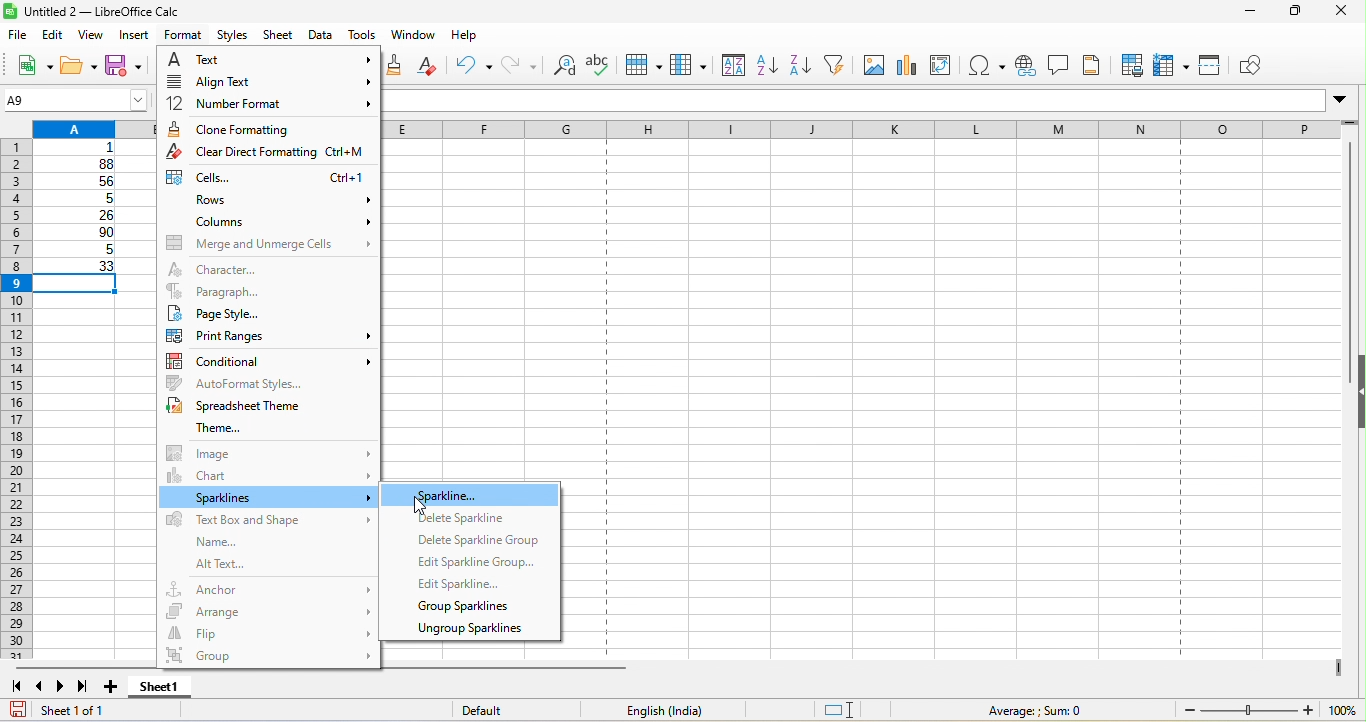 The image size is (1366, 722). Describe the element at coordinates (82, 148) in the screenshot. I see `1` at that location.